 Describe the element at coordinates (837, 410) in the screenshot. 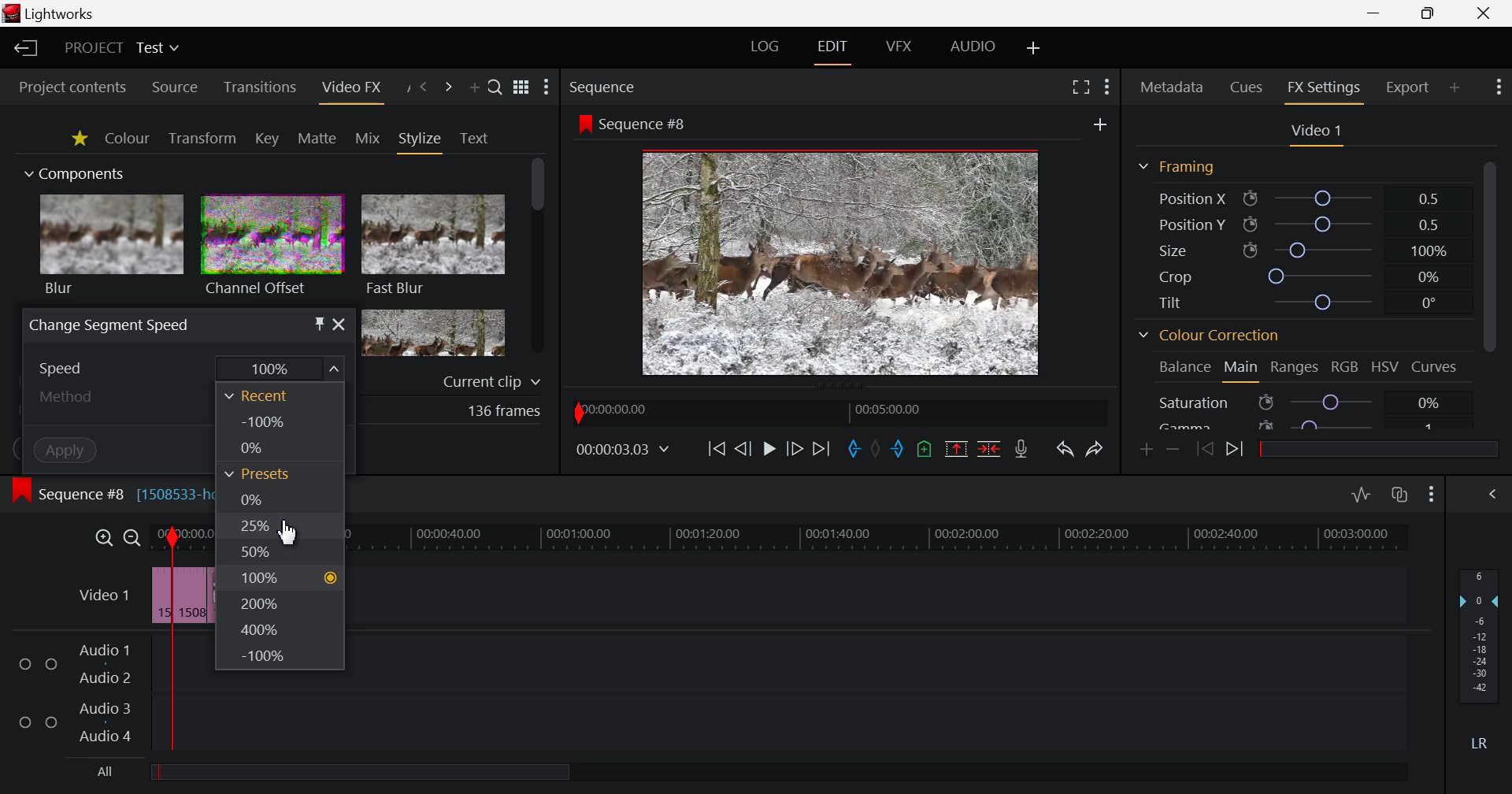

I see `Project Timeline Navigator` at that location.